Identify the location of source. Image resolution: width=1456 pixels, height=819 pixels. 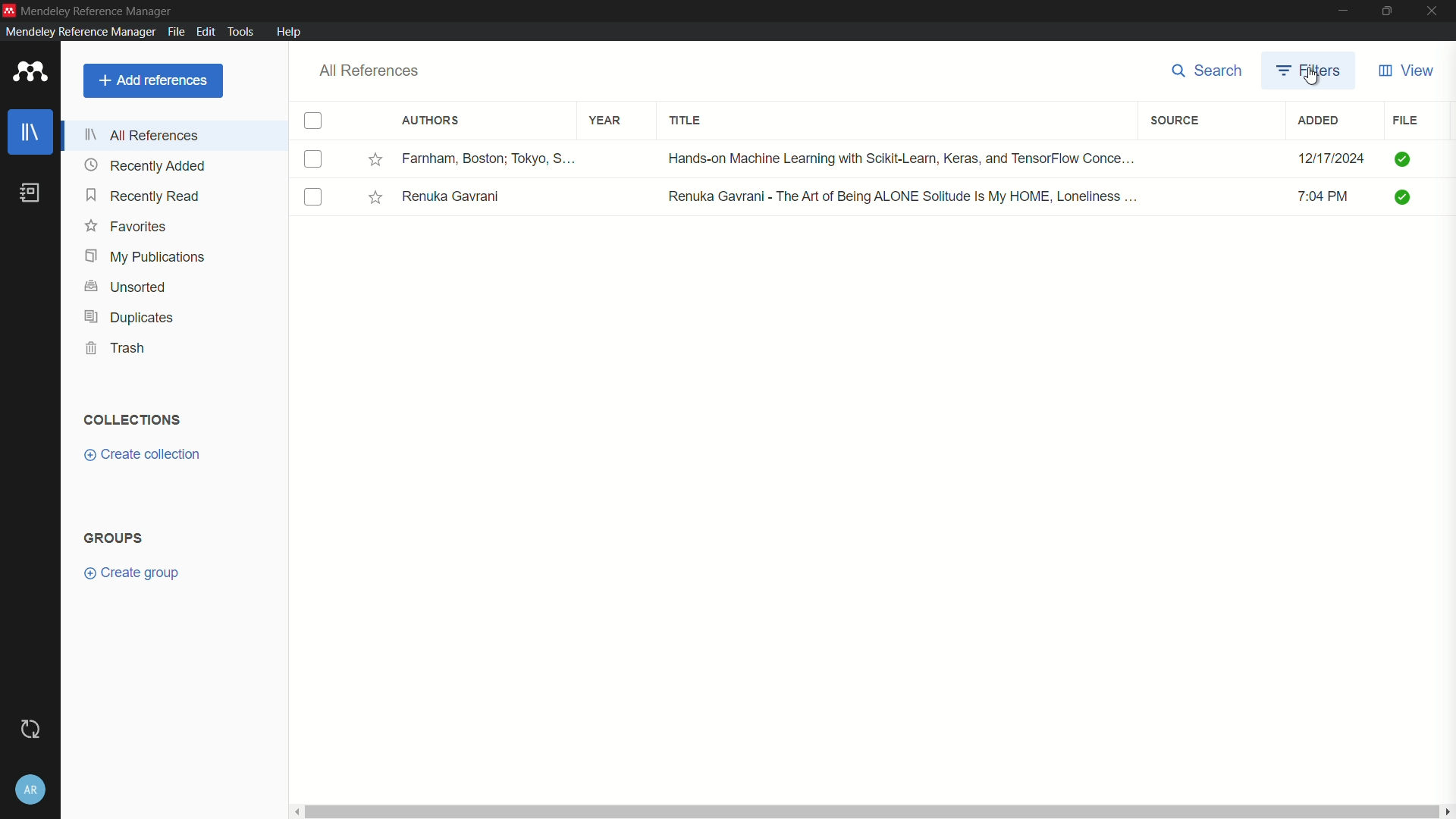
(1175, 121).